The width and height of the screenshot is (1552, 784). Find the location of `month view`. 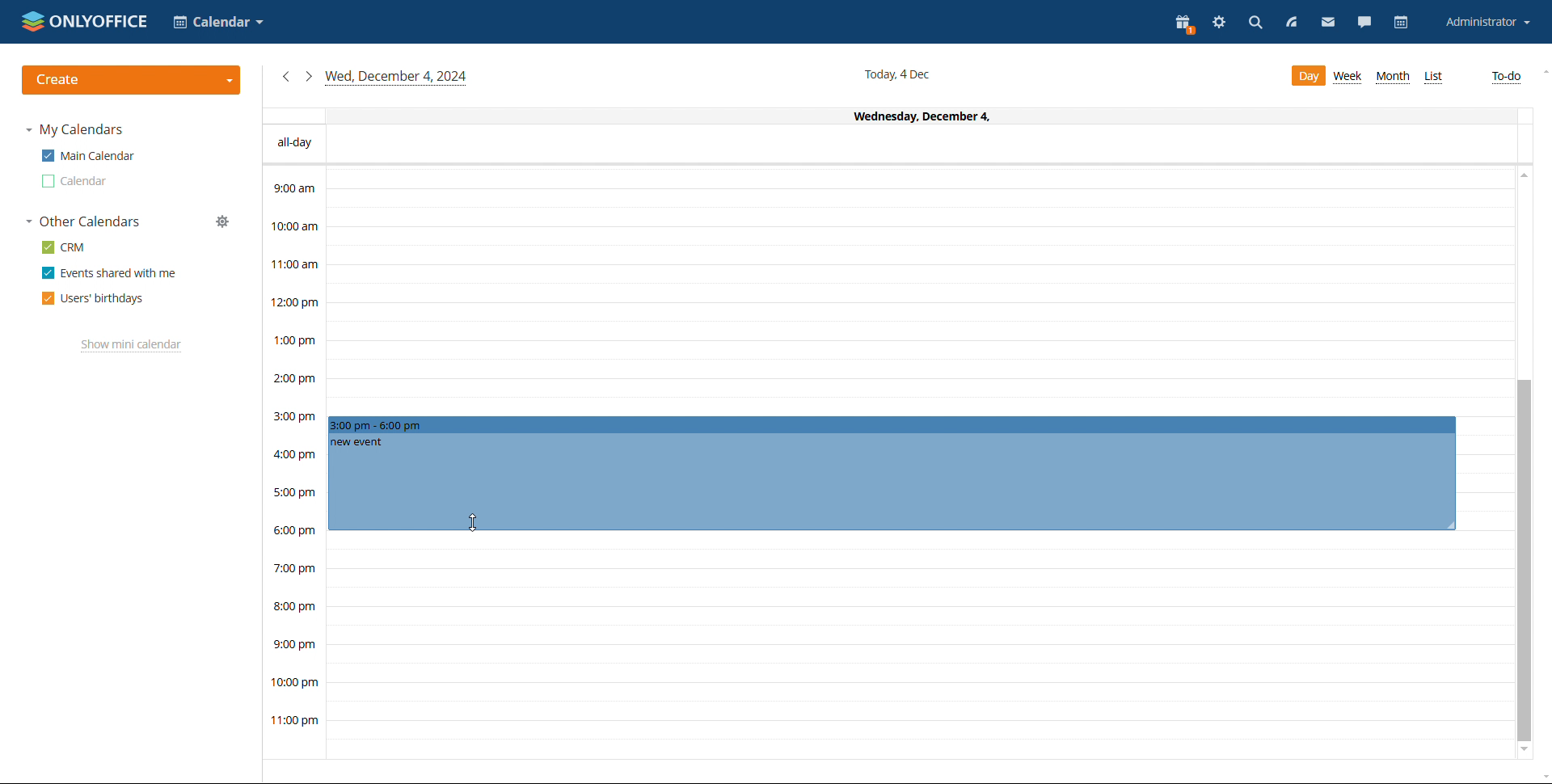

month view is located at coordinates (1392, 77).